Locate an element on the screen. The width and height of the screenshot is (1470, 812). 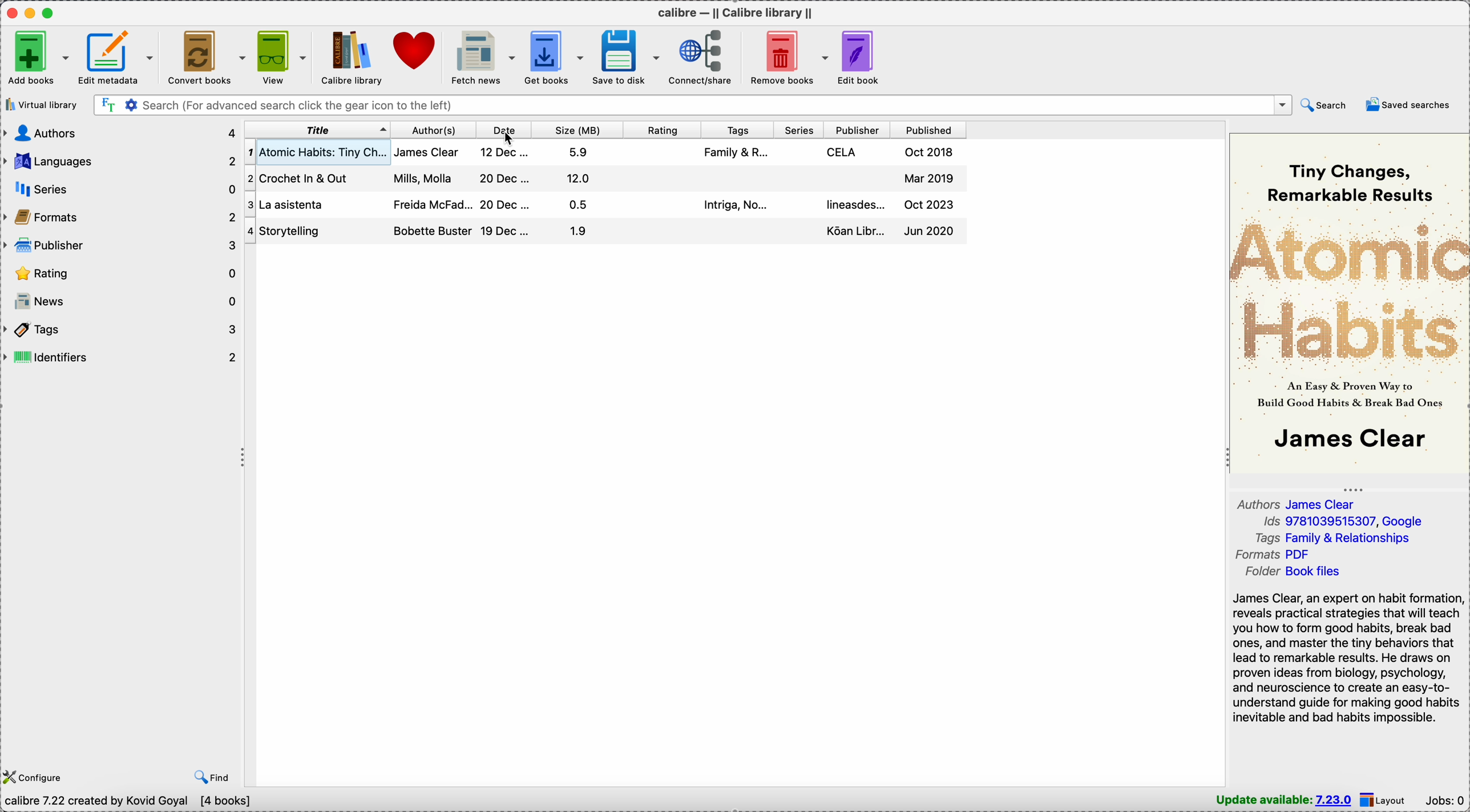
title is located at coordinates (318, 131).